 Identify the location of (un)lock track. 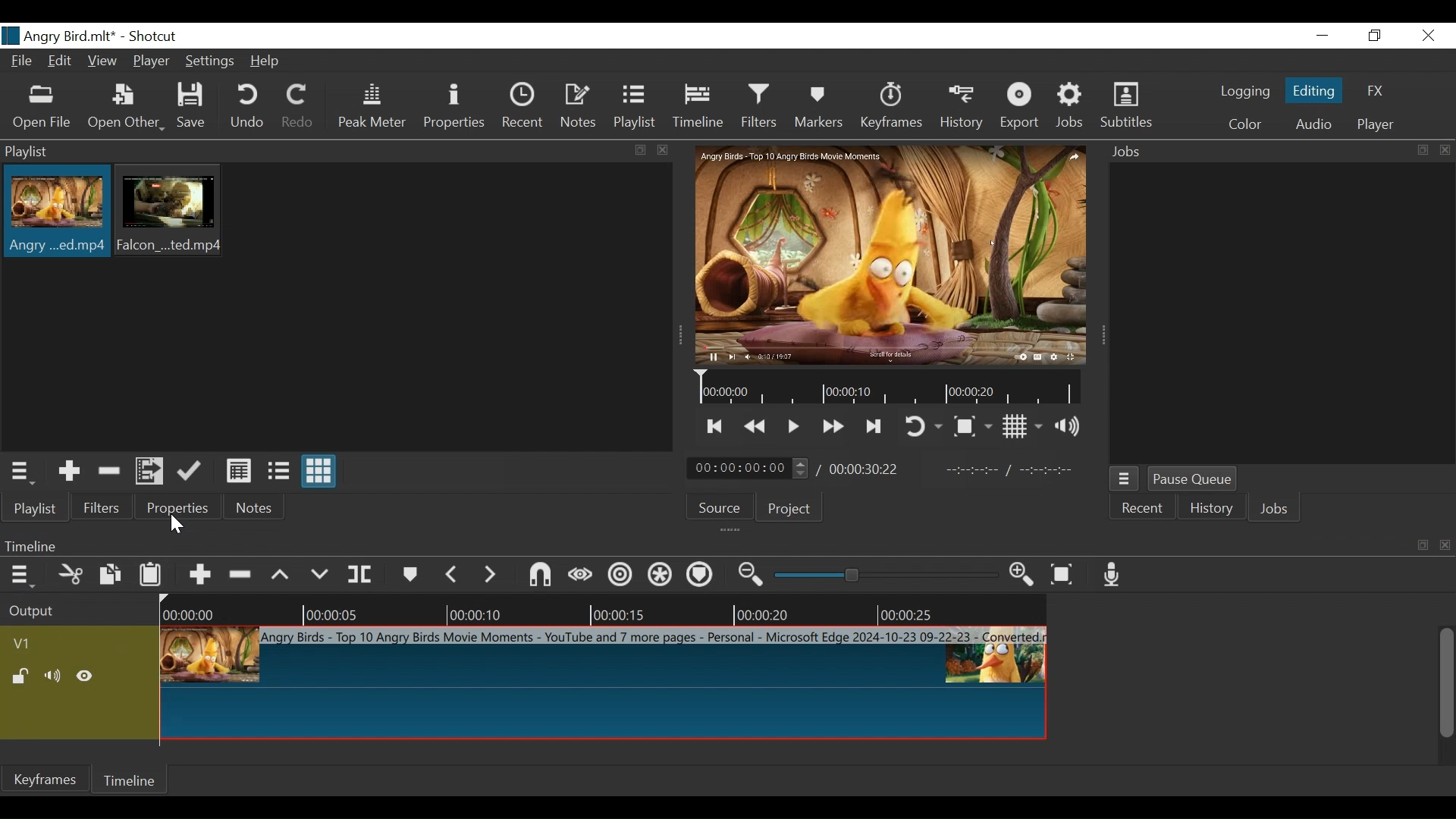
(22, 675).